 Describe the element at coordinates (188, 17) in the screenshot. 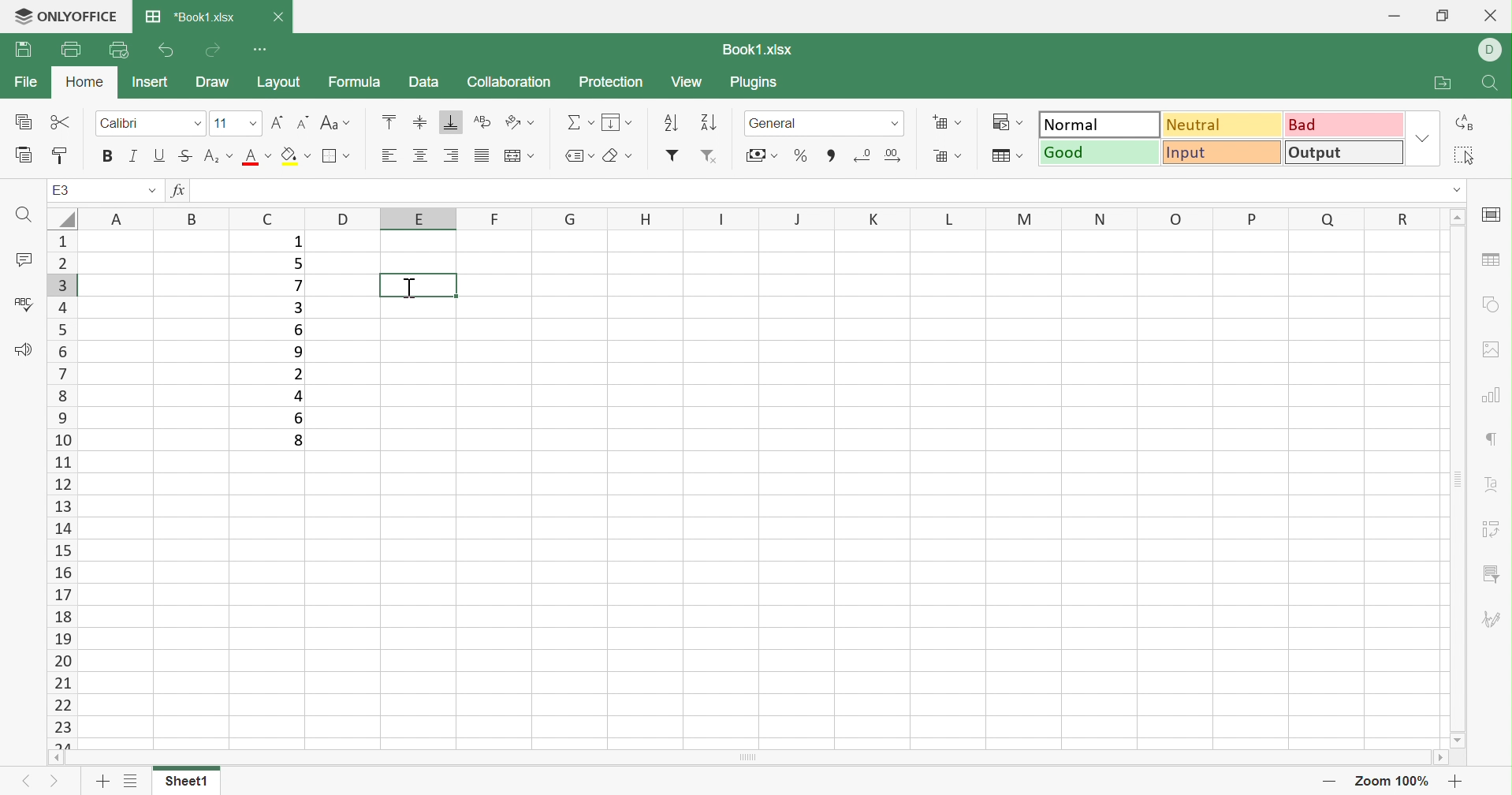

I see `*Book1.xlsx` at that location.